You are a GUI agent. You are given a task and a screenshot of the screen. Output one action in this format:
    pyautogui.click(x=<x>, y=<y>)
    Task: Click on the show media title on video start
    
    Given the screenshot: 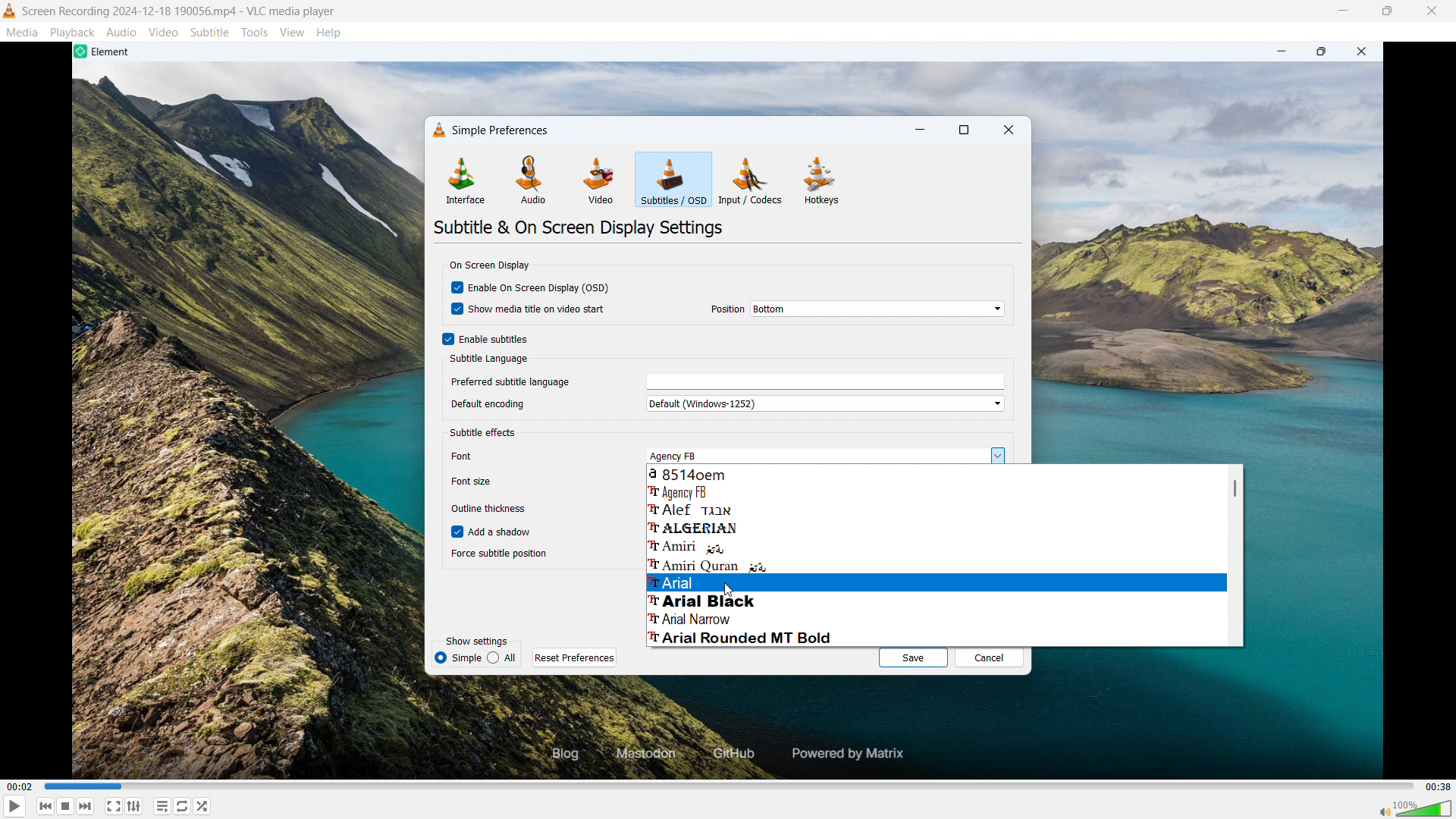 What is the action you would take?
    pyautogui.click(x=532, y=309)
    